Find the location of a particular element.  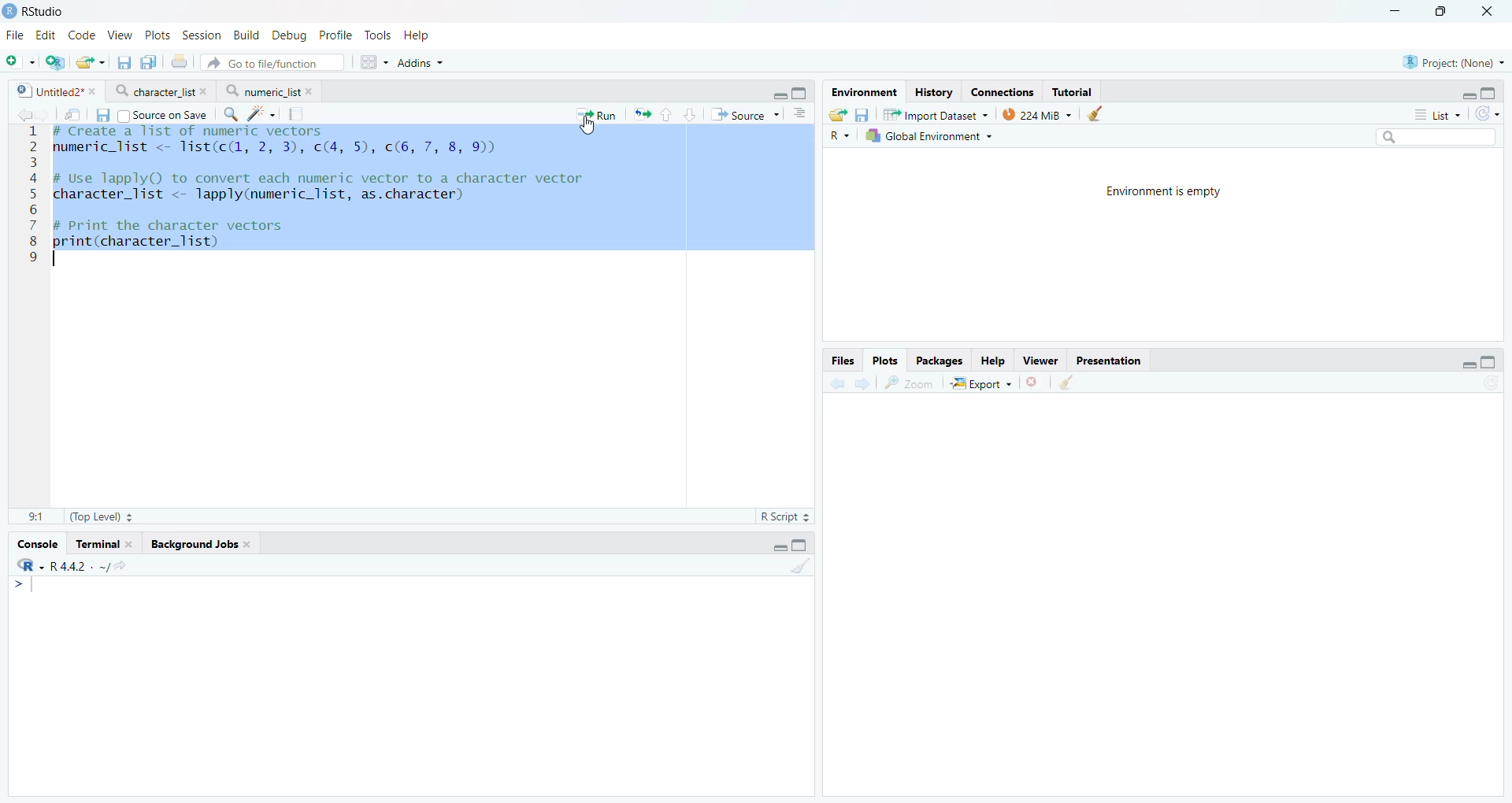

Minimize is located at coordinates (1398, 11).